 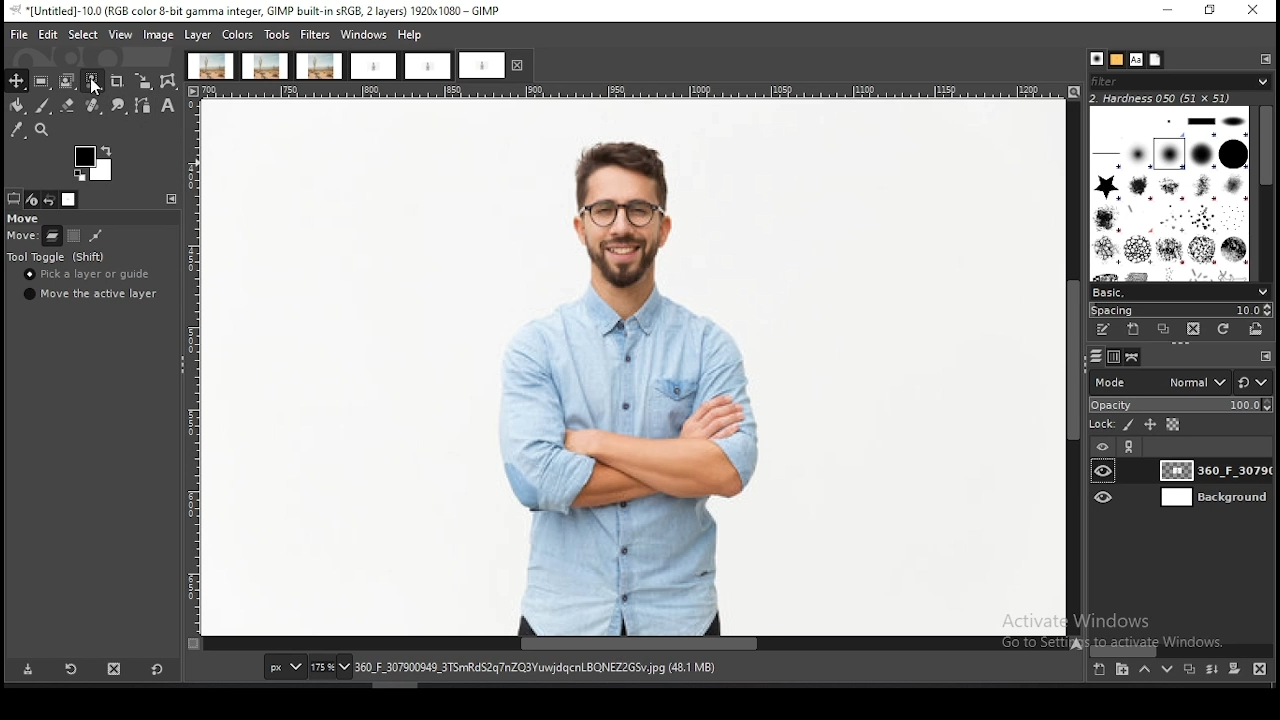 What do you see at coordinates (43, 106) in the screenshot?
I see `paintbrush tool` at bounding box center [43, 106].